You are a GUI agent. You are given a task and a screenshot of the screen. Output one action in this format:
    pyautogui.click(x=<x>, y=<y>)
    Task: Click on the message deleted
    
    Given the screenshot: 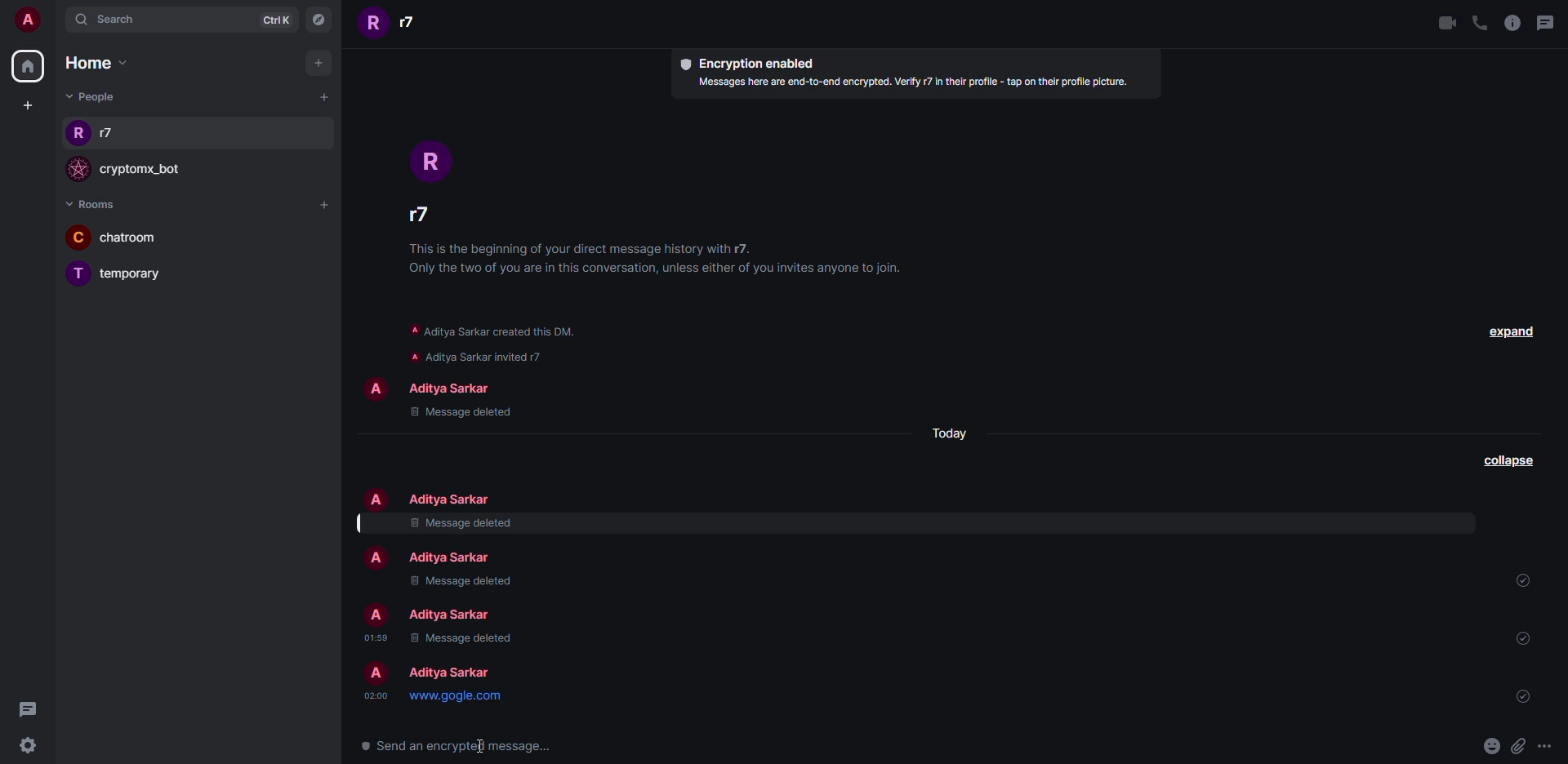 What is the action you would take?
    pyautogui.click(x=462, y=580)
    